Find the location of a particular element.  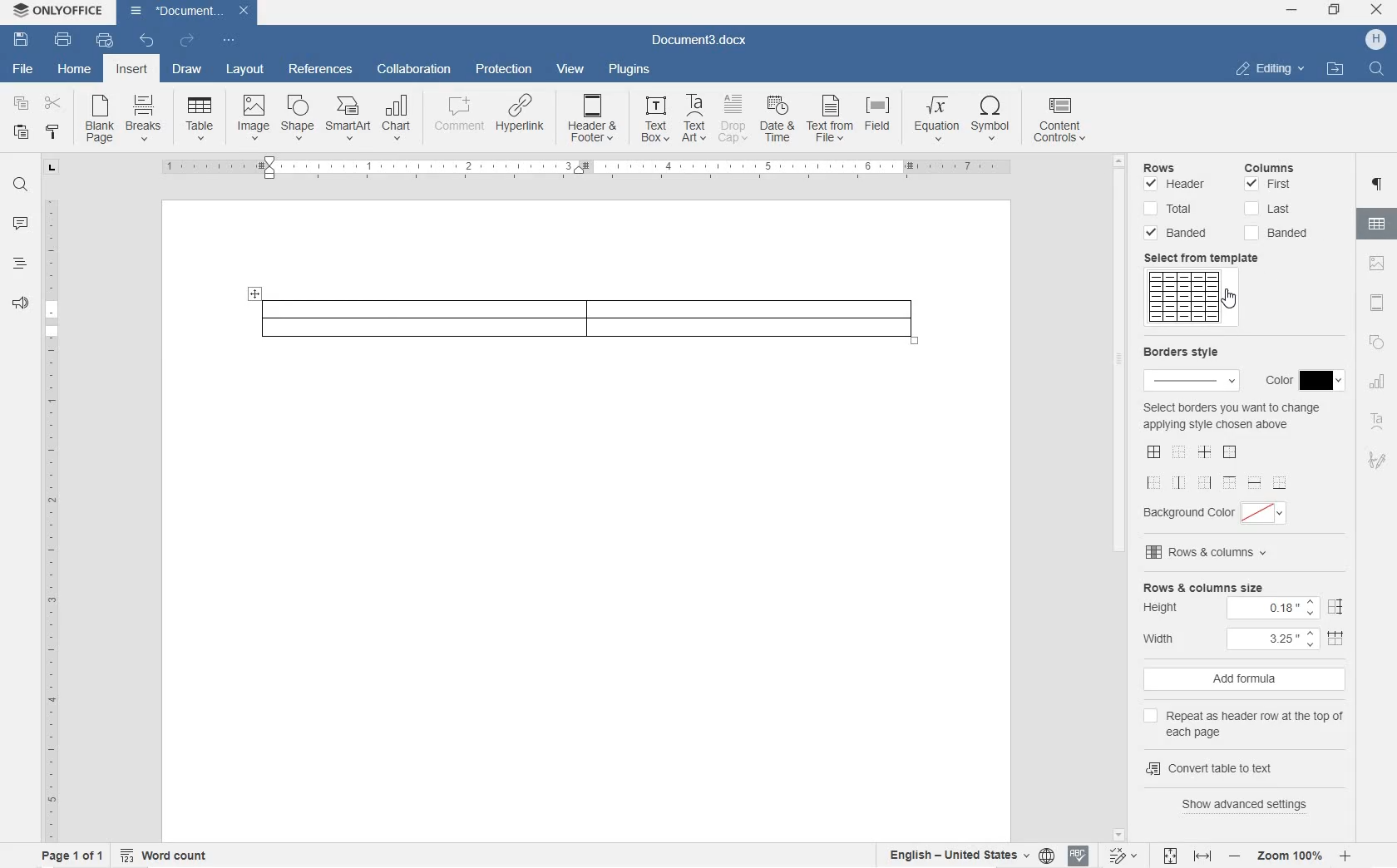

open file location is located at coordinates (1335, 70).